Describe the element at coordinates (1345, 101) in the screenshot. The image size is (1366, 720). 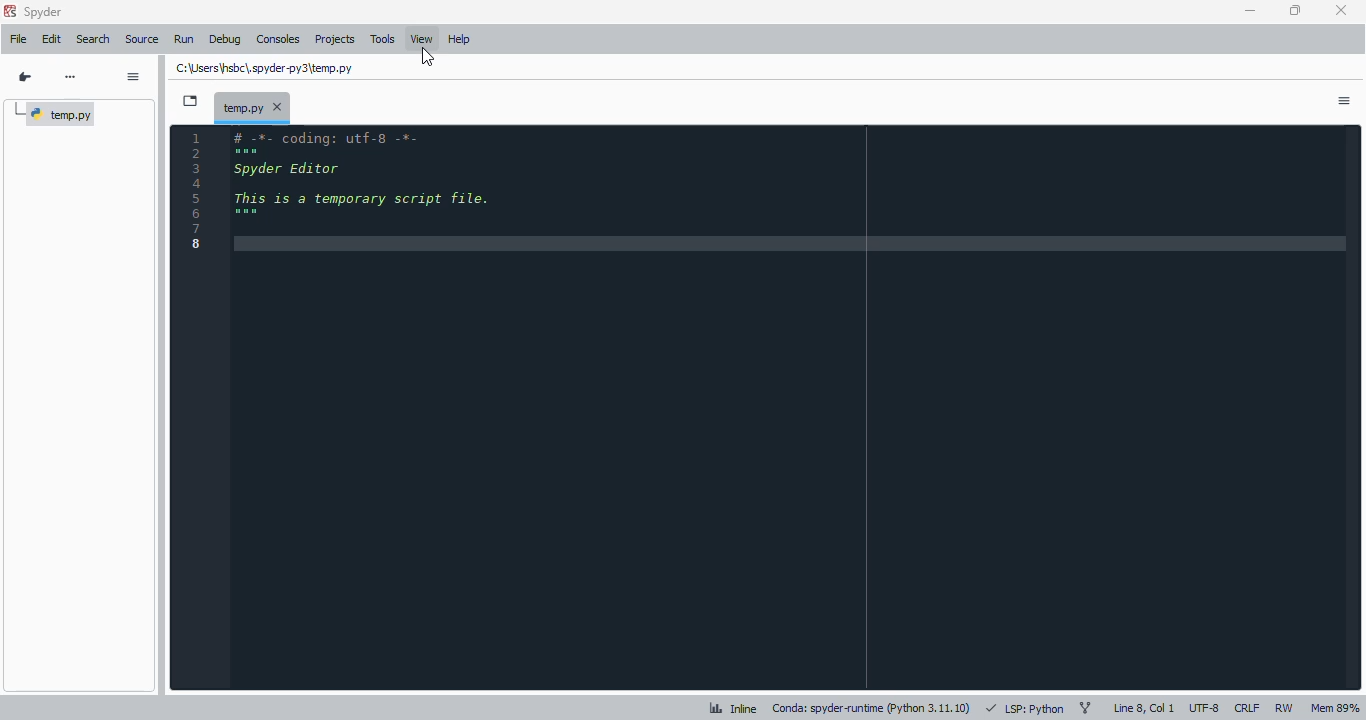
I see `options` at that location.